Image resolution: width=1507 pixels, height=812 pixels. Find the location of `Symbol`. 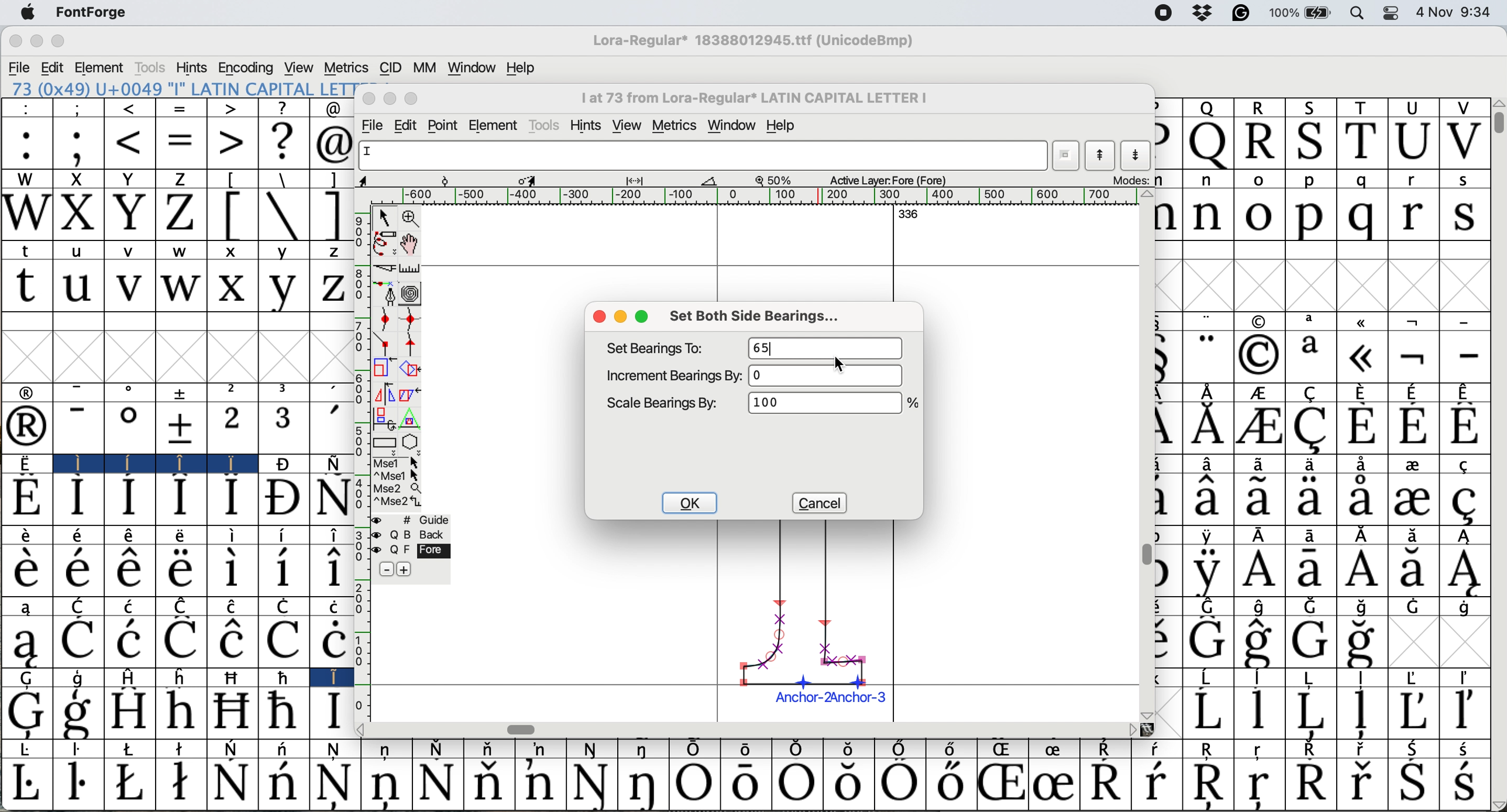

Symbol is located at coordinates (231, 642).